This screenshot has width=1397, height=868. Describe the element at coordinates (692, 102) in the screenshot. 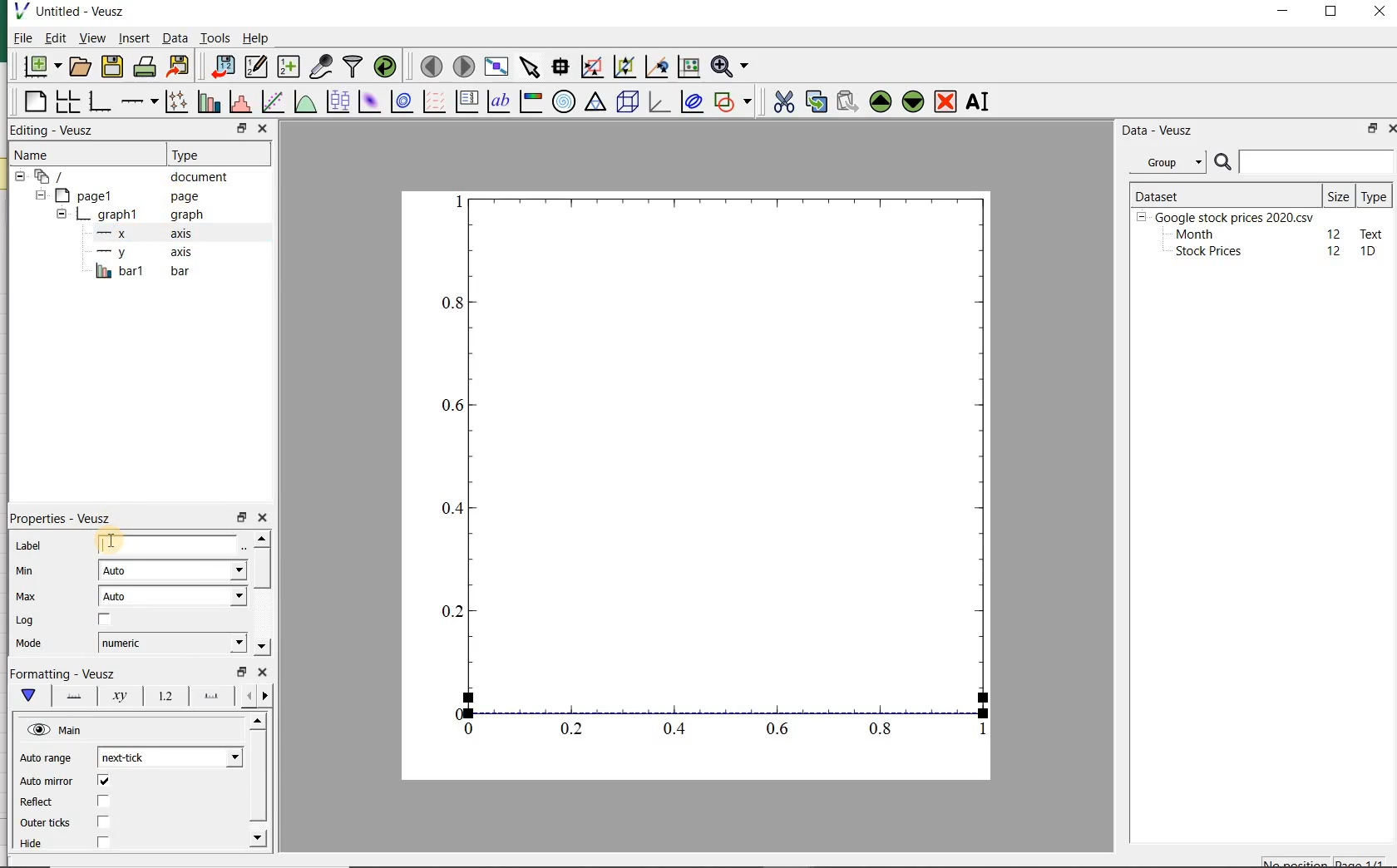

I see `plot covariance ellipses` at that location.